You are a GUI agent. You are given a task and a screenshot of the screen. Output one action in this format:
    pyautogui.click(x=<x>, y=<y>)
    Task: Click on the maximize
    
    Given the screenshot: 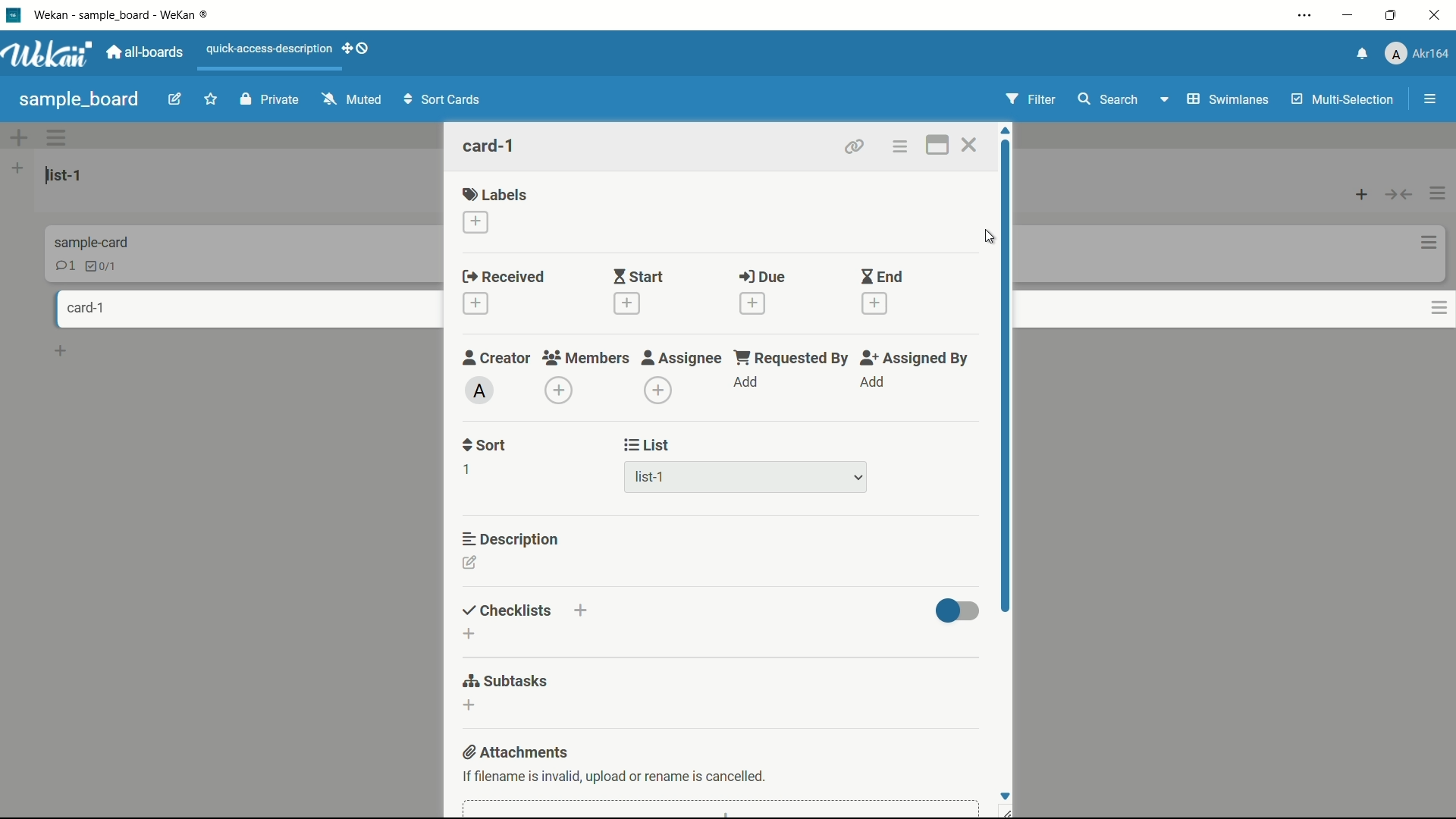 What is the action you would take?
    pyautogui.click(x=1389, y=16)
    